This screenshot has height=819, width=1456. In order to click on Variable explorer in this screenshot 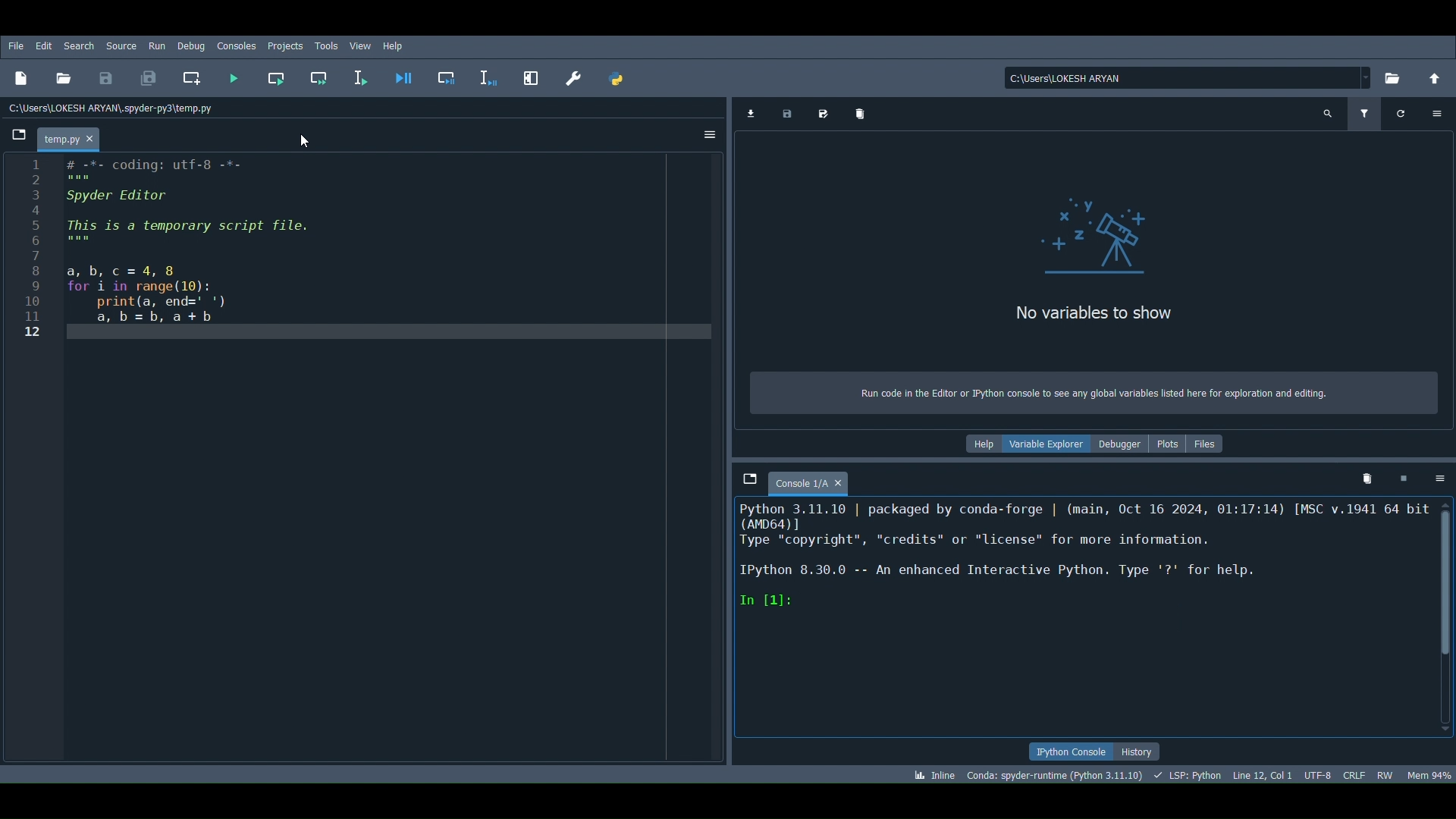, I will do `click(1050, 444)`.